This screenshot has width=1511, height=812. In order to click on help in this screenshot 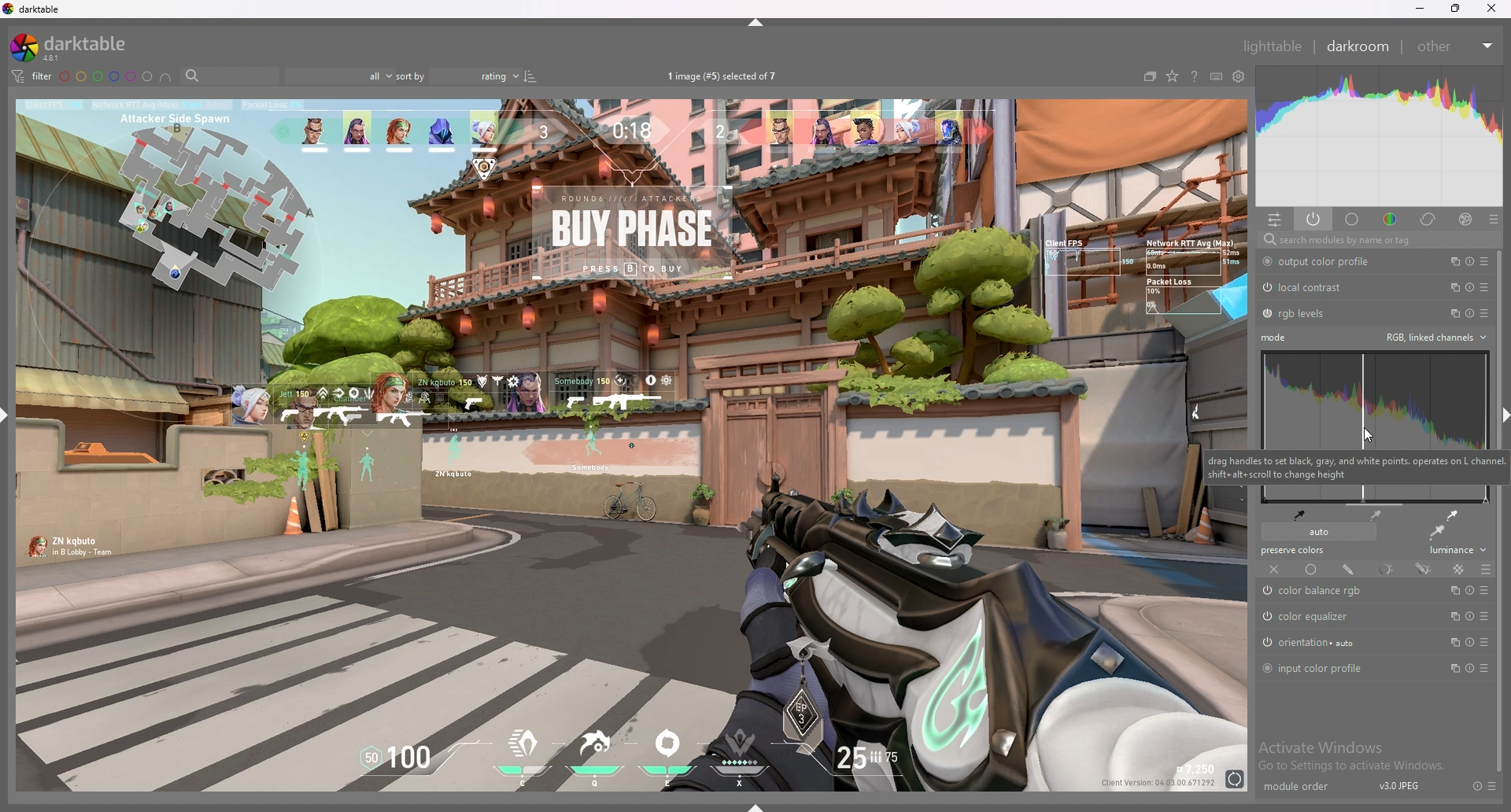, I will do `click(1195, 76)`.